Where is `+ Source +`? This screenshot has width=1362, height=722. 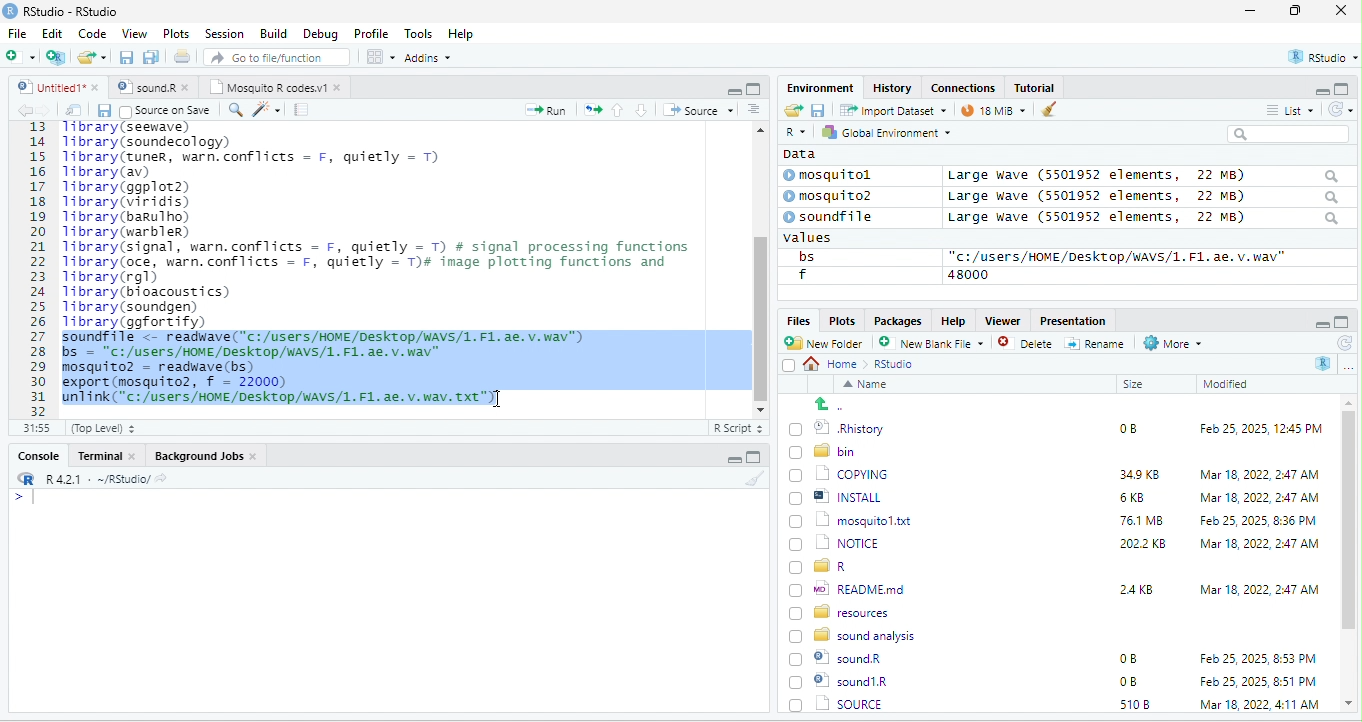 + Source + is located at coordinates (698, 109).